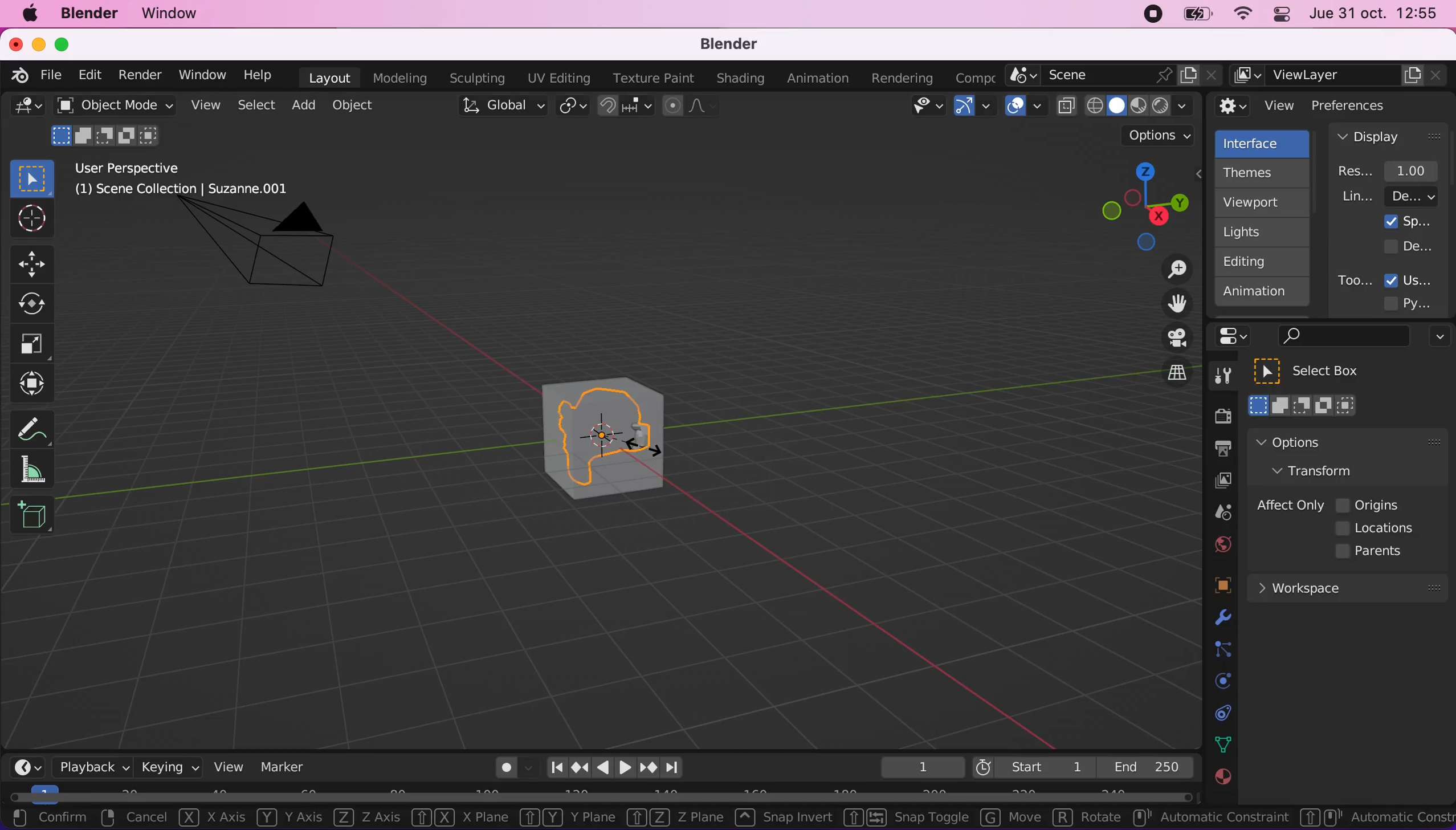 This screenshot has height=830, width=1456. What do you see at coordinates (32, 516) in the screenshot?
I see `add cube` at bounding box center [32, 516].